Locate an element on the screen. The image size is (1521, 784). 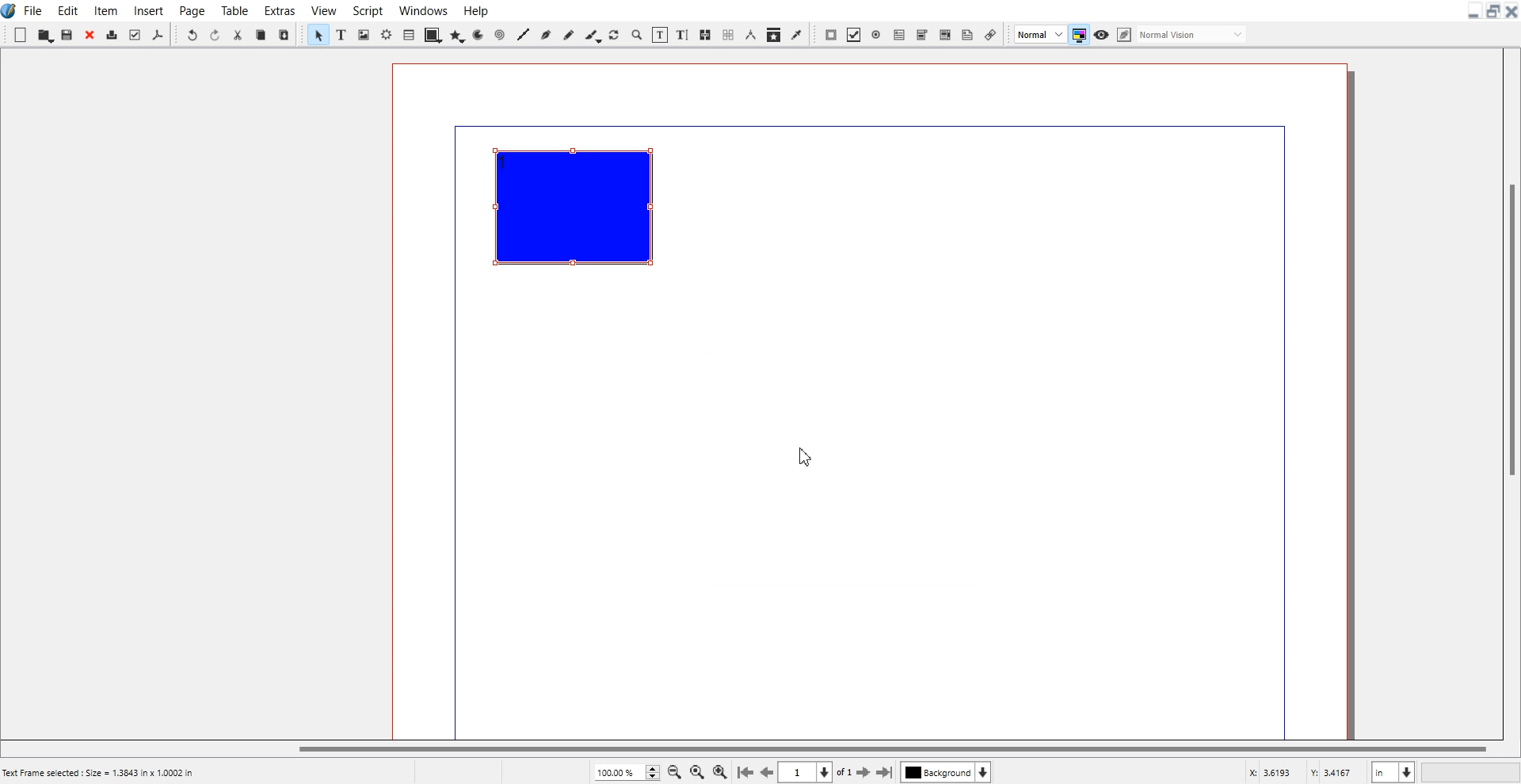
Toggler mode is located at coordinates (1078, 34).